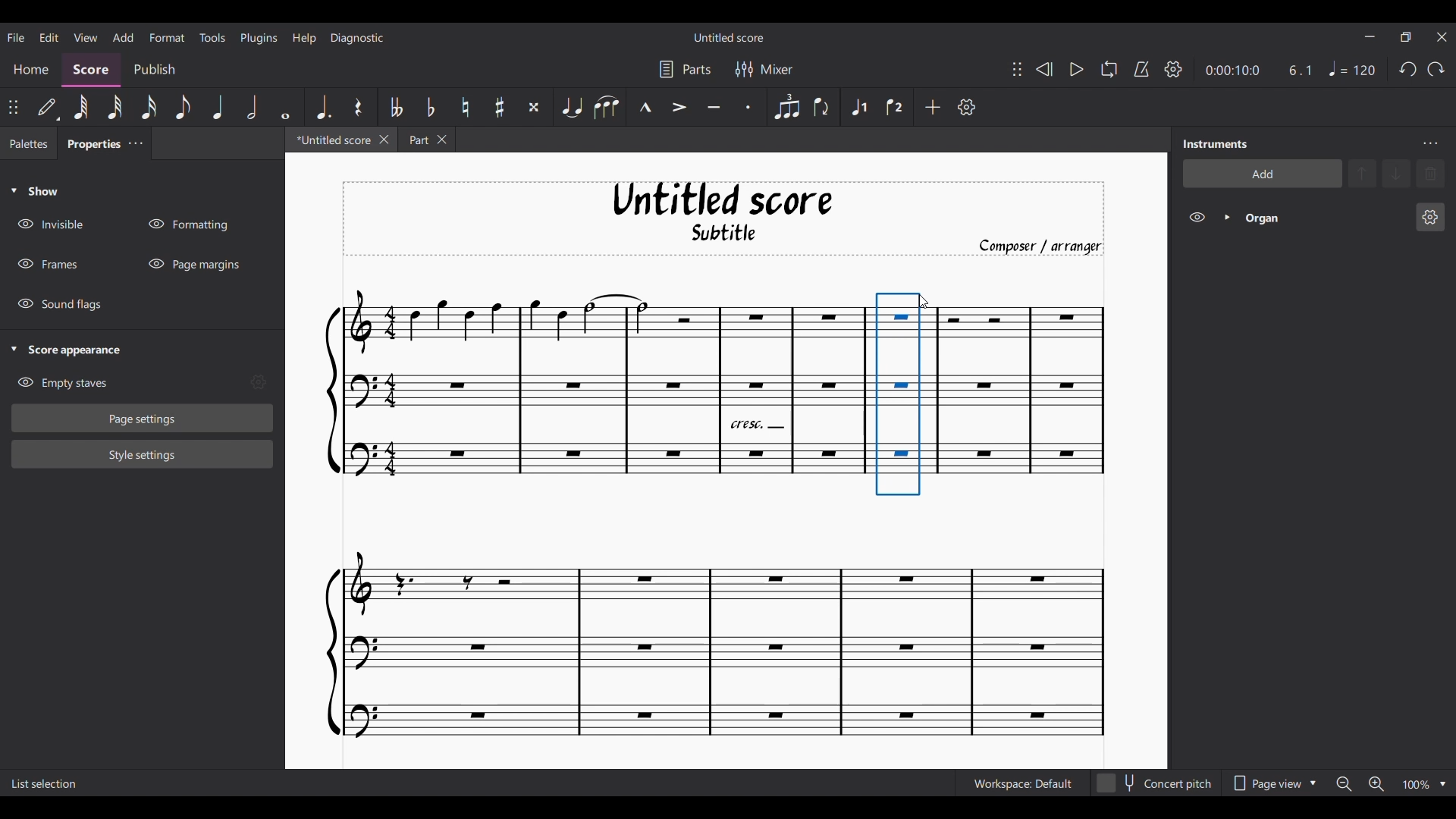 This screenshot has height=819, width=1456. What do you see at coordinates (1044, 69) in the screenshot?
I see `Rewind` at bounding box center [1044, 69].